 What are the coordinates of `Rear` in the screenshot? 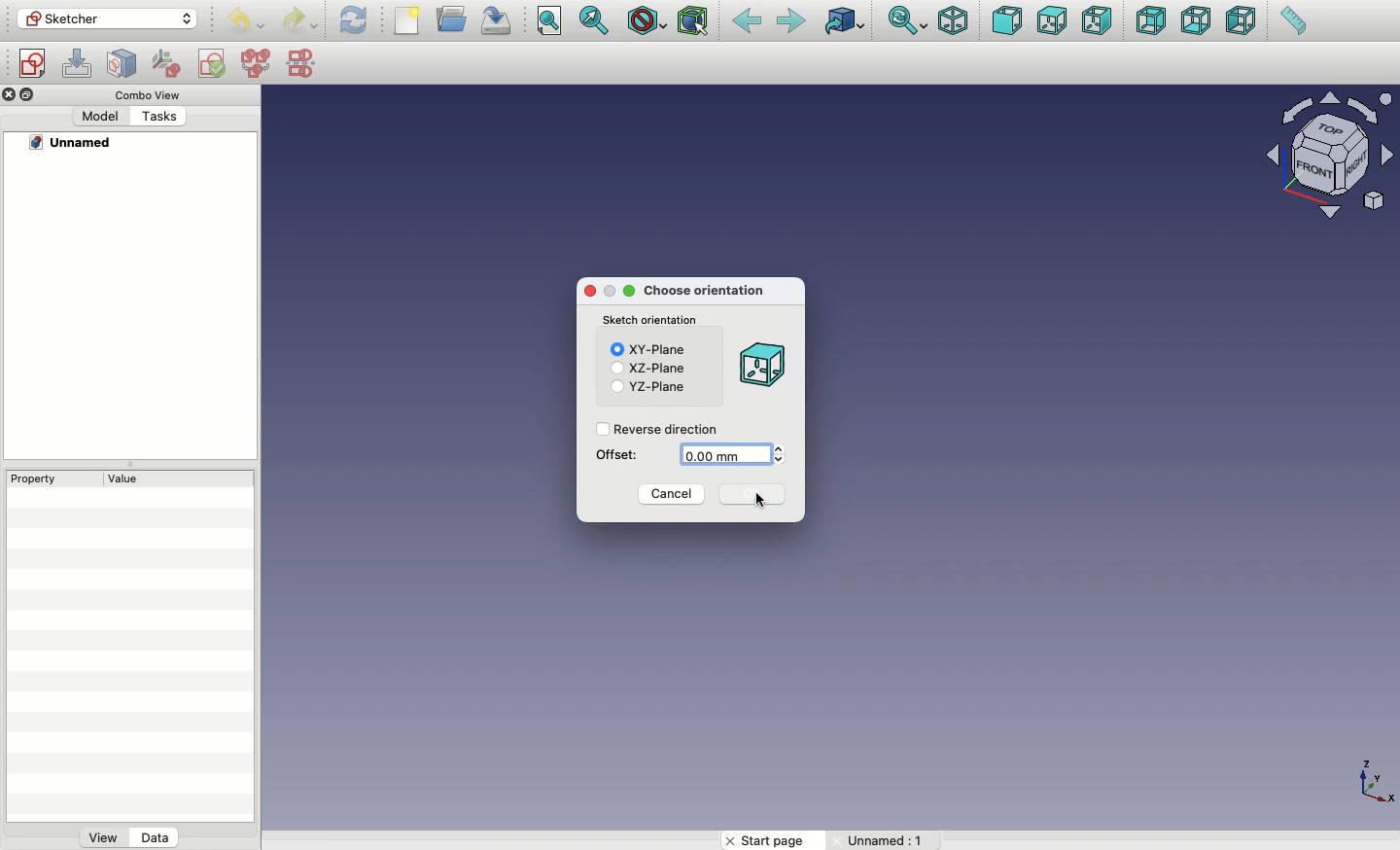 It's located at (1149, 21).